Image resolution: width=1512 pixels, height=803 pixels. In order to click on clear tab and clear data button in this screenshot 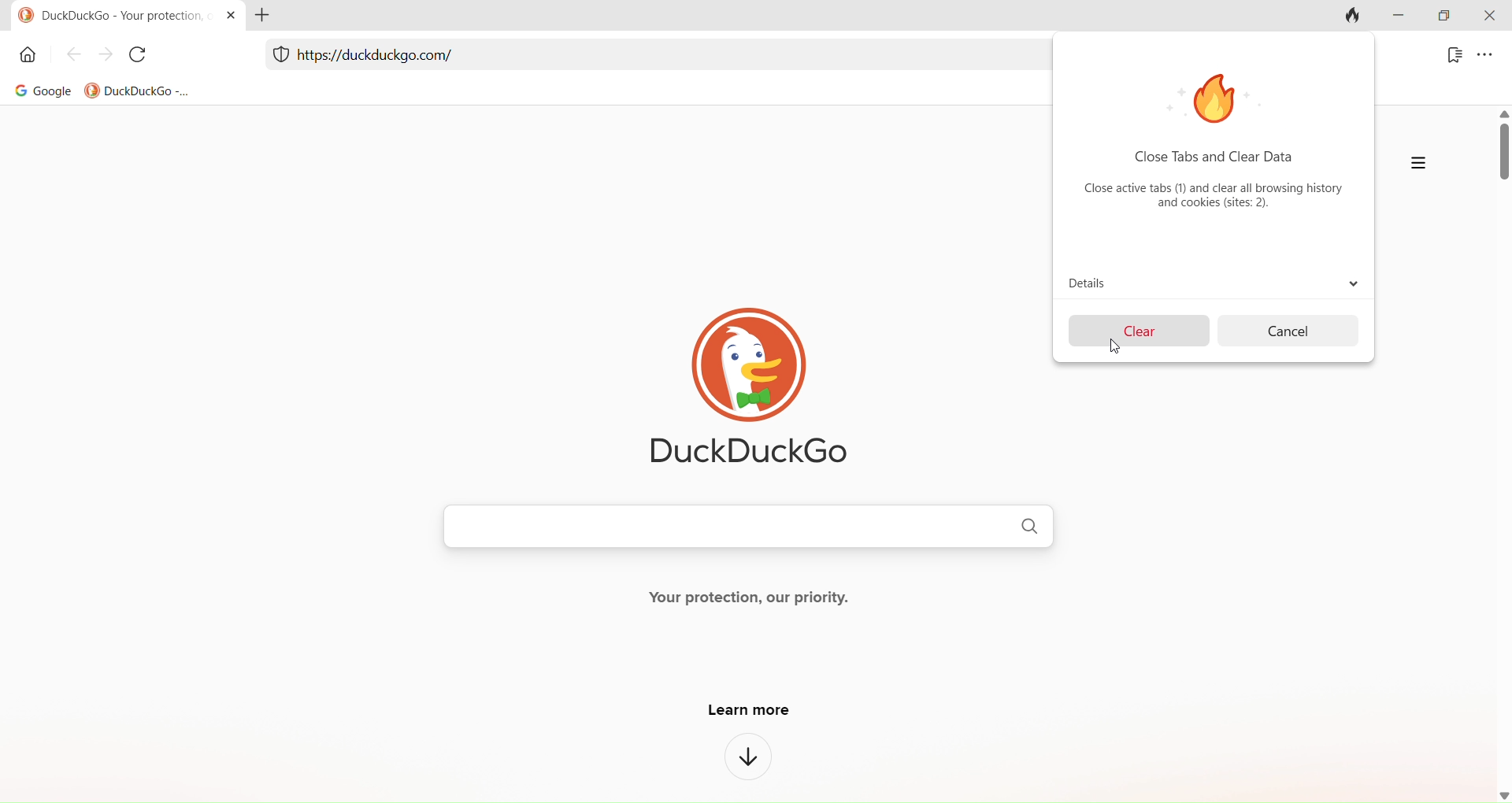, I will do `click(1351, 16)`.